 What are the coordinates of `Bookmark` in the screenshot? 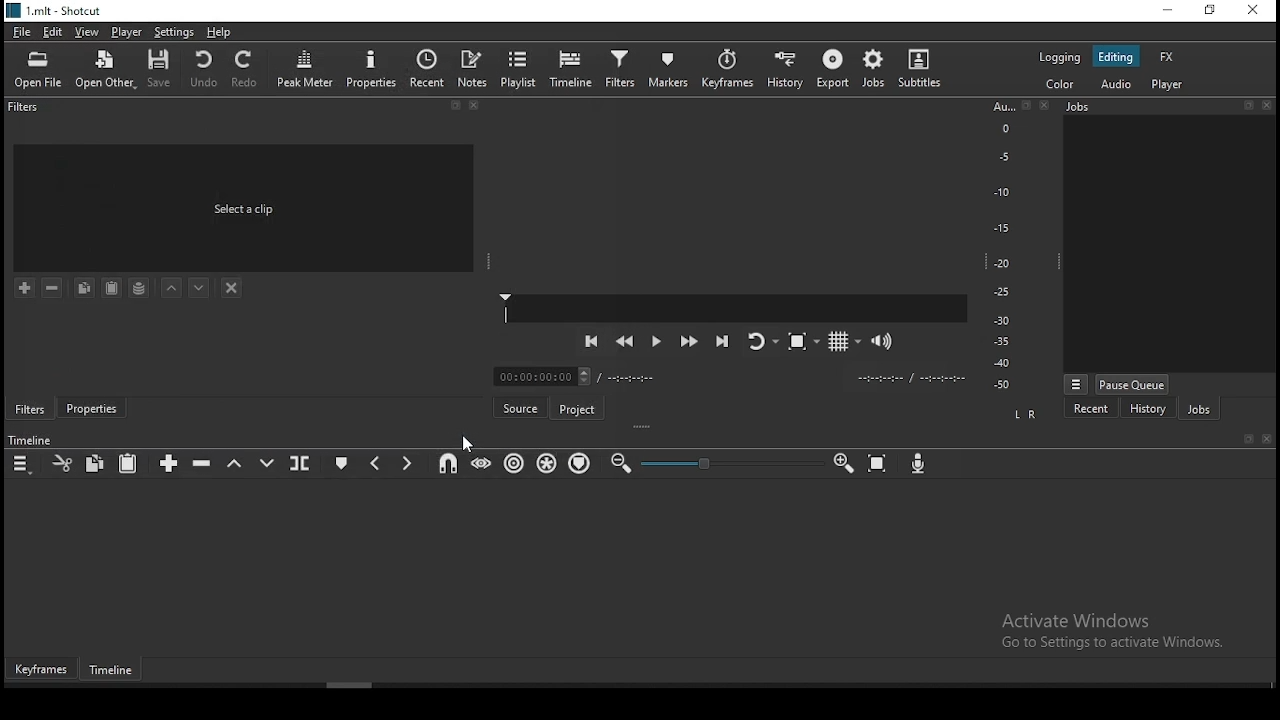 It's located at (1027, 106).